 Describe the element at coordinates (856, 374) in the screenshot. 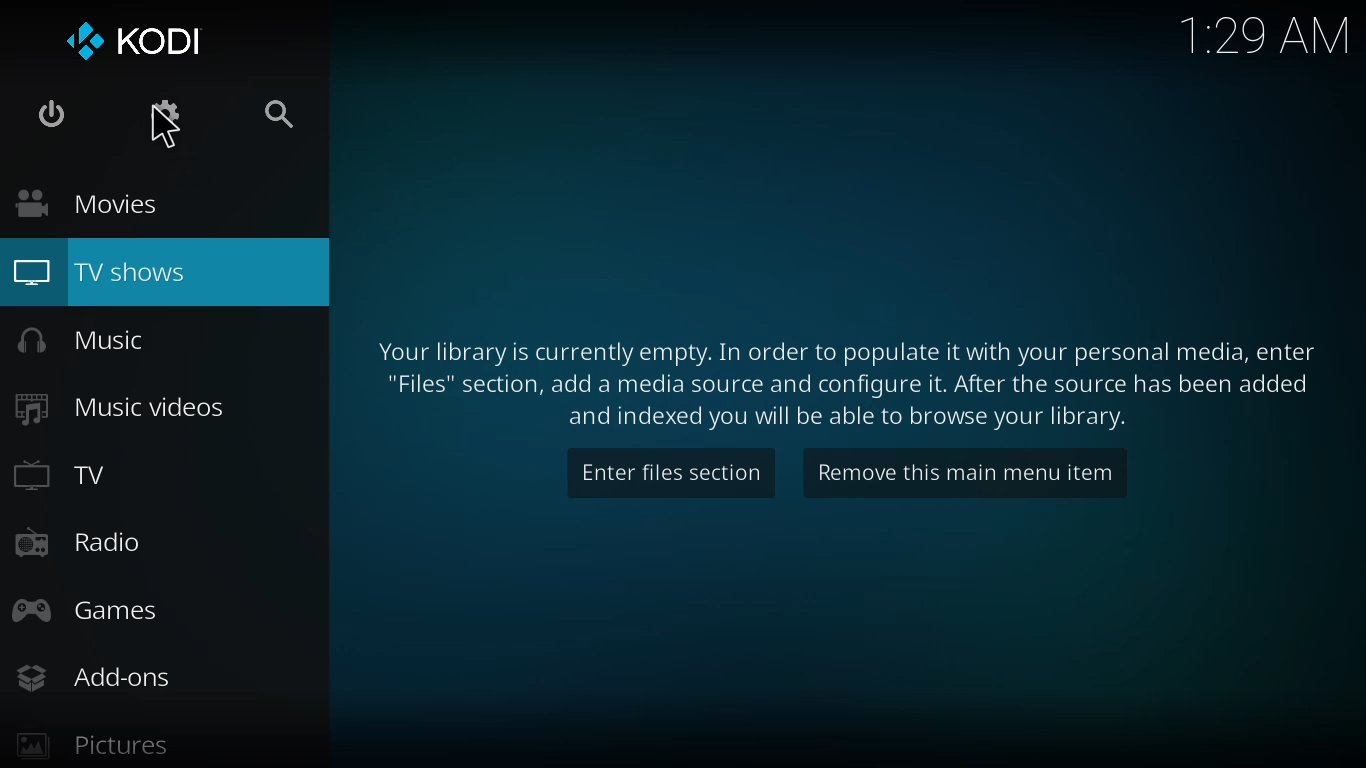

I see `learn more` at that location.